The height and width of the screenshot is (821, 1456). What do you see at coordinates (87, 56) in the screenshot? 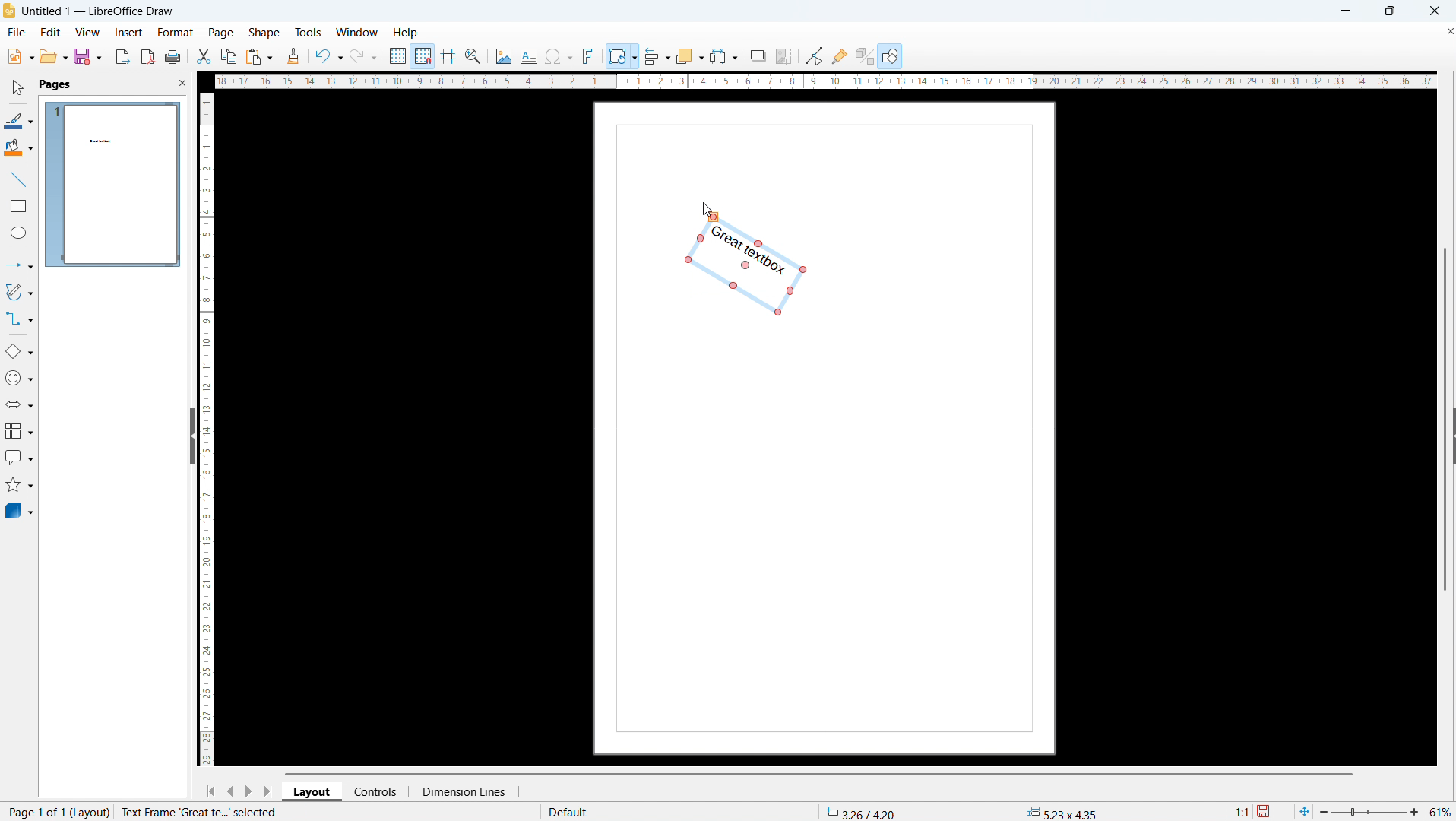
I see `save` at bounding box center [87, 56].